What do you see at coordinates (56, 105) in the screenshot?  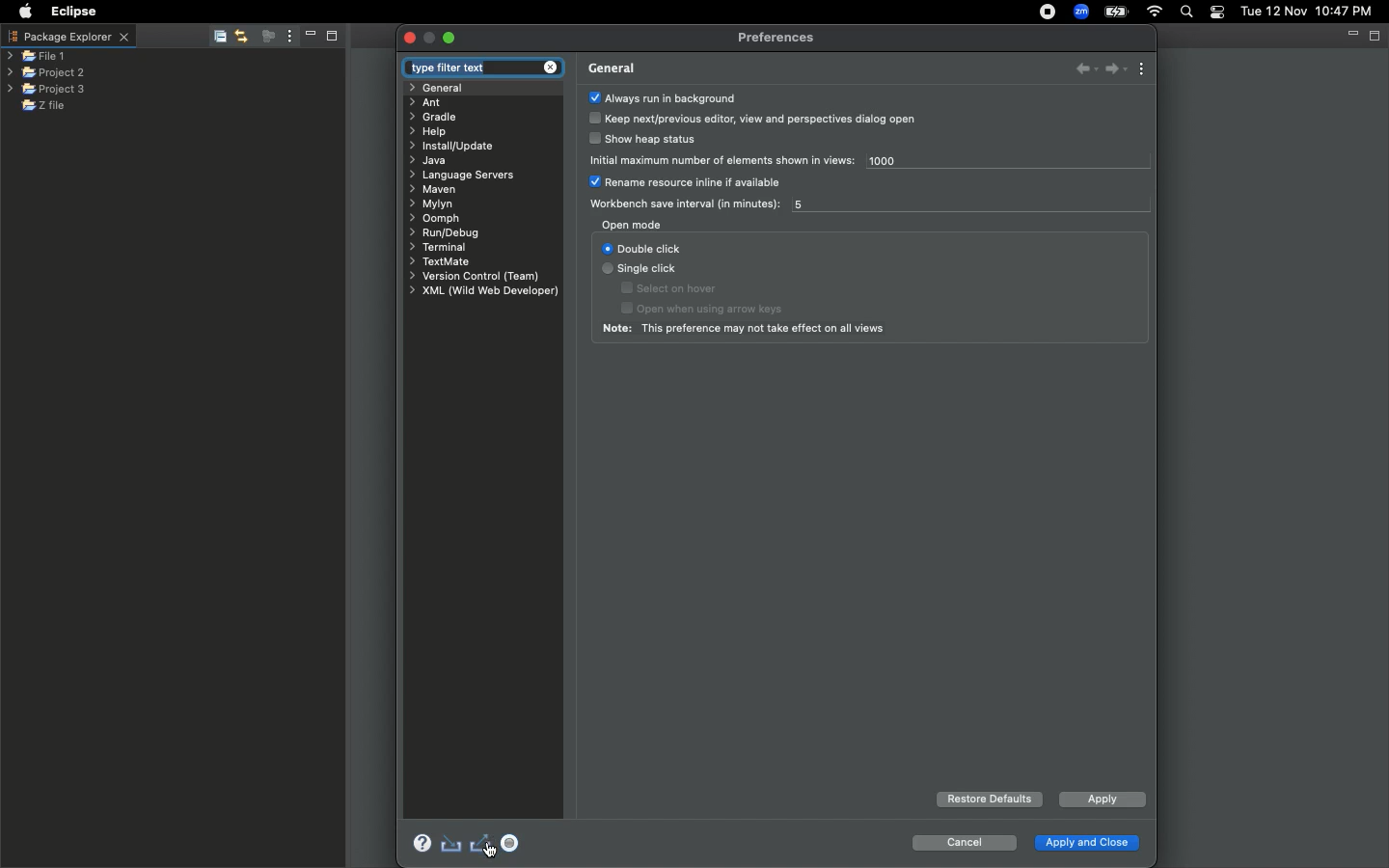 I see `Z file` at bounding box center [56, 105].